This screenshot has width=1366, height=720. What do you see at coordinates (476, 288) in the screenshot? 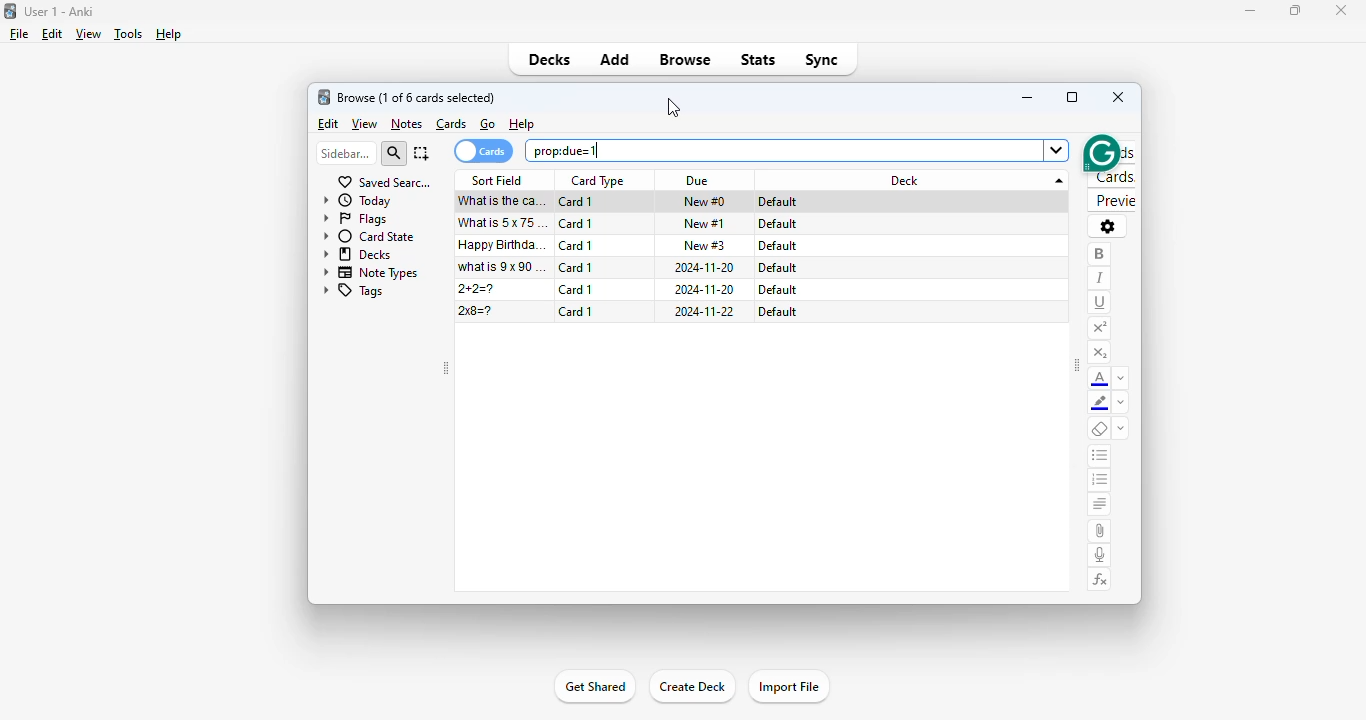
I see `2+2=?` at bounding box center [476, 288].